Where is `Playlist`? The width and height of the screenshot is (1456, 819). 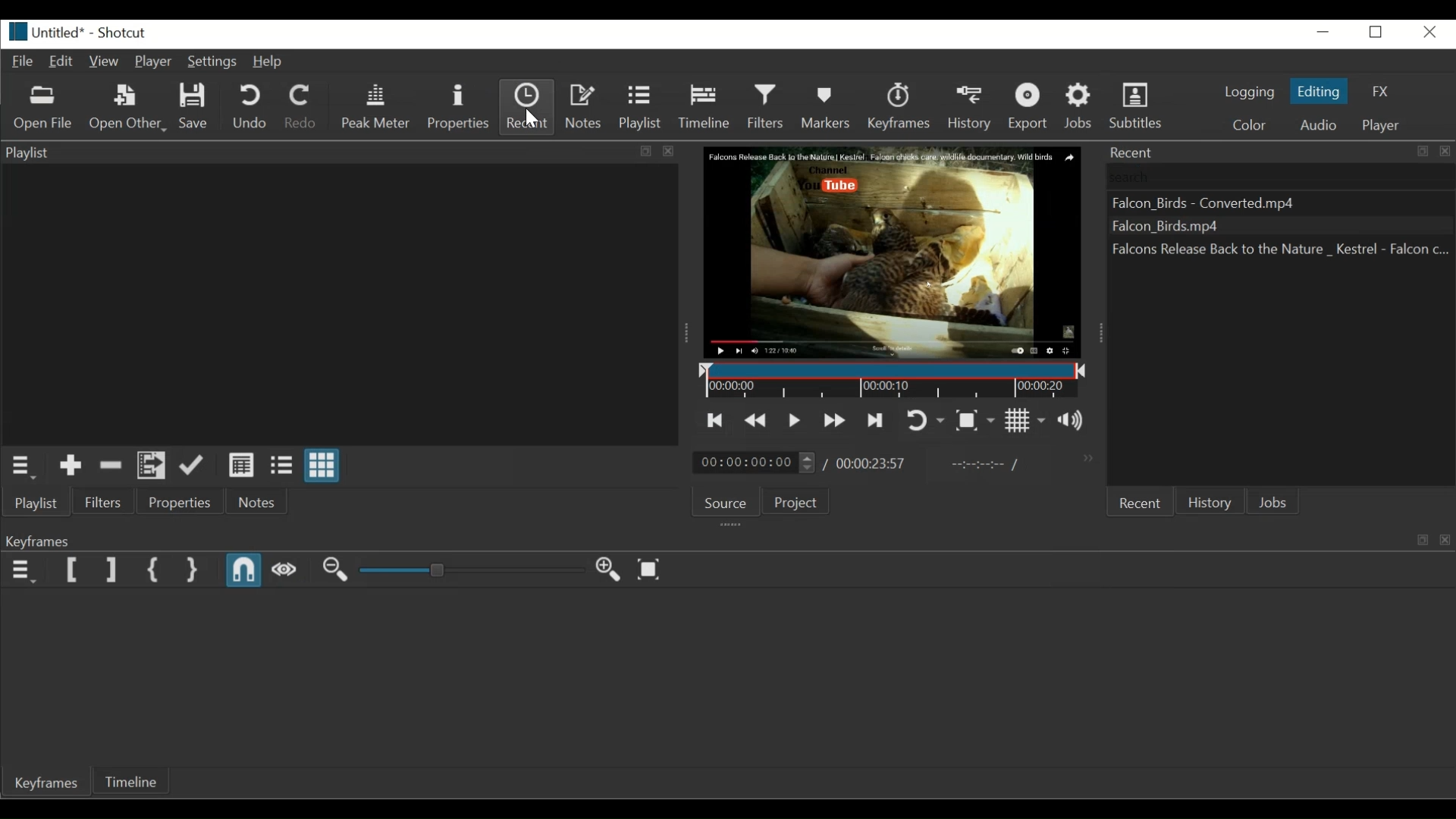
Playlist is located at coordinates (644, 105).